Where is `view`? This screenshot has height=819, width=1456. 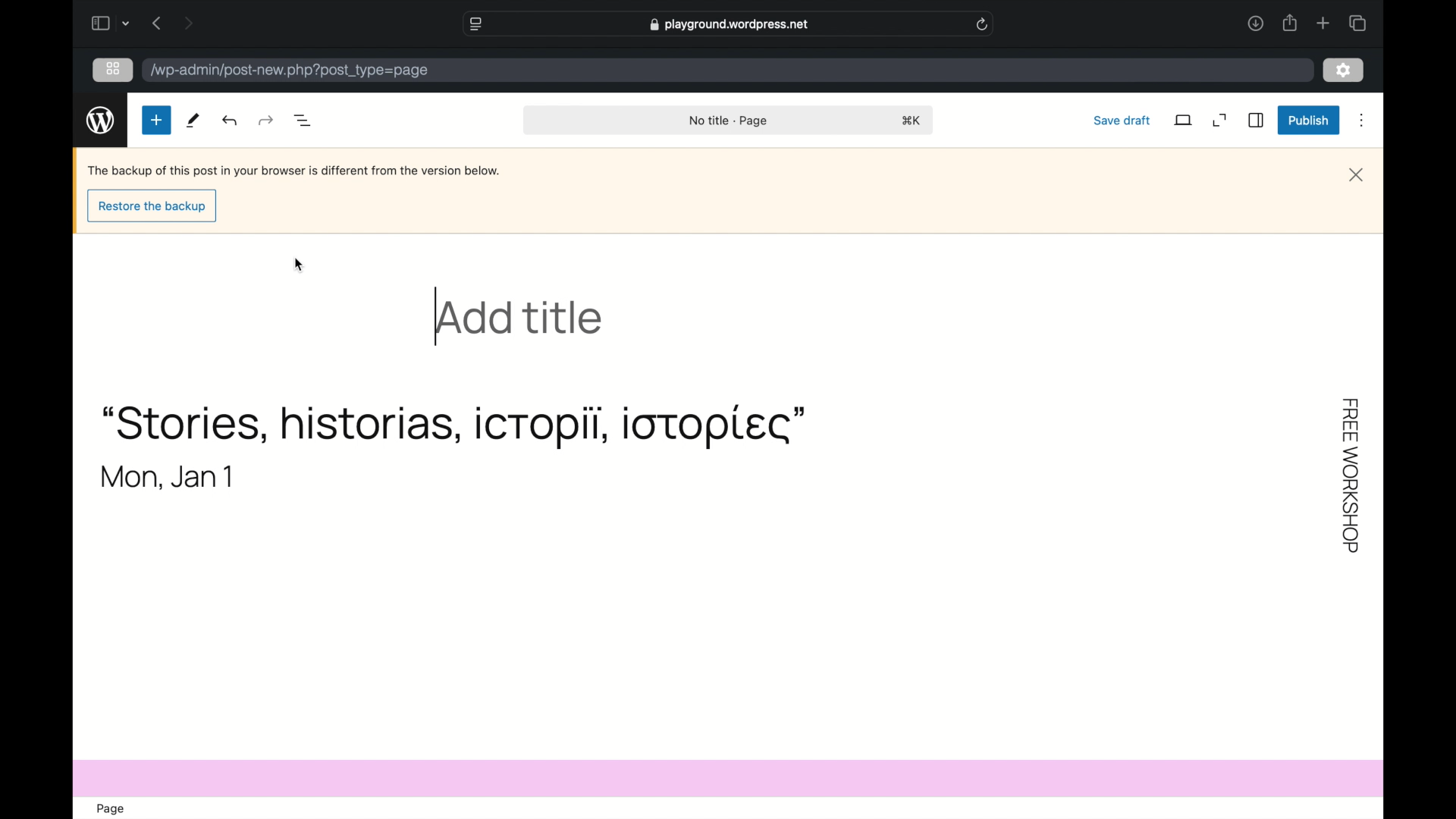
view is located at coordinates (1184, 120).